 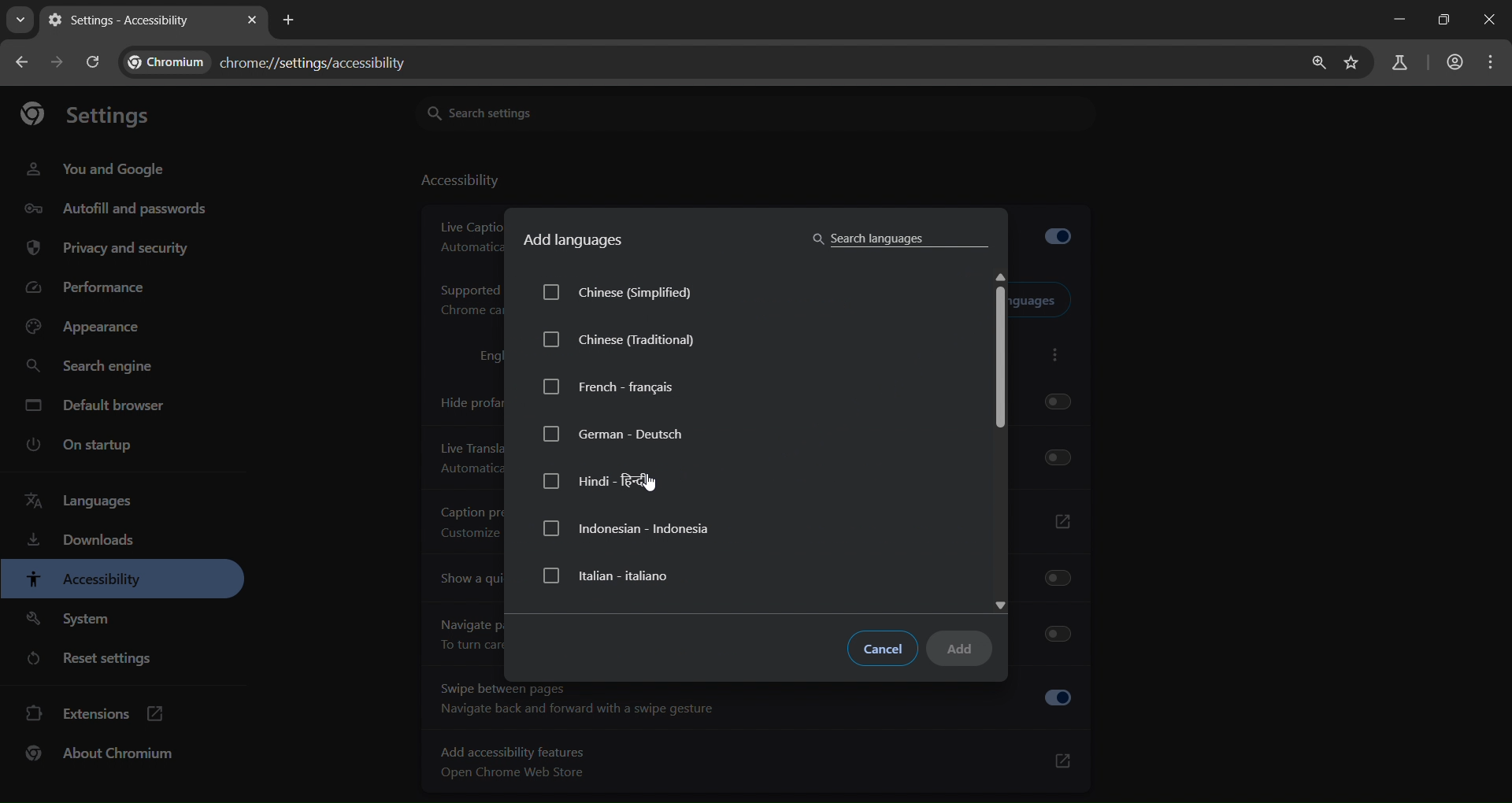 I want to click on accessibility, so click(x=83, y=580).